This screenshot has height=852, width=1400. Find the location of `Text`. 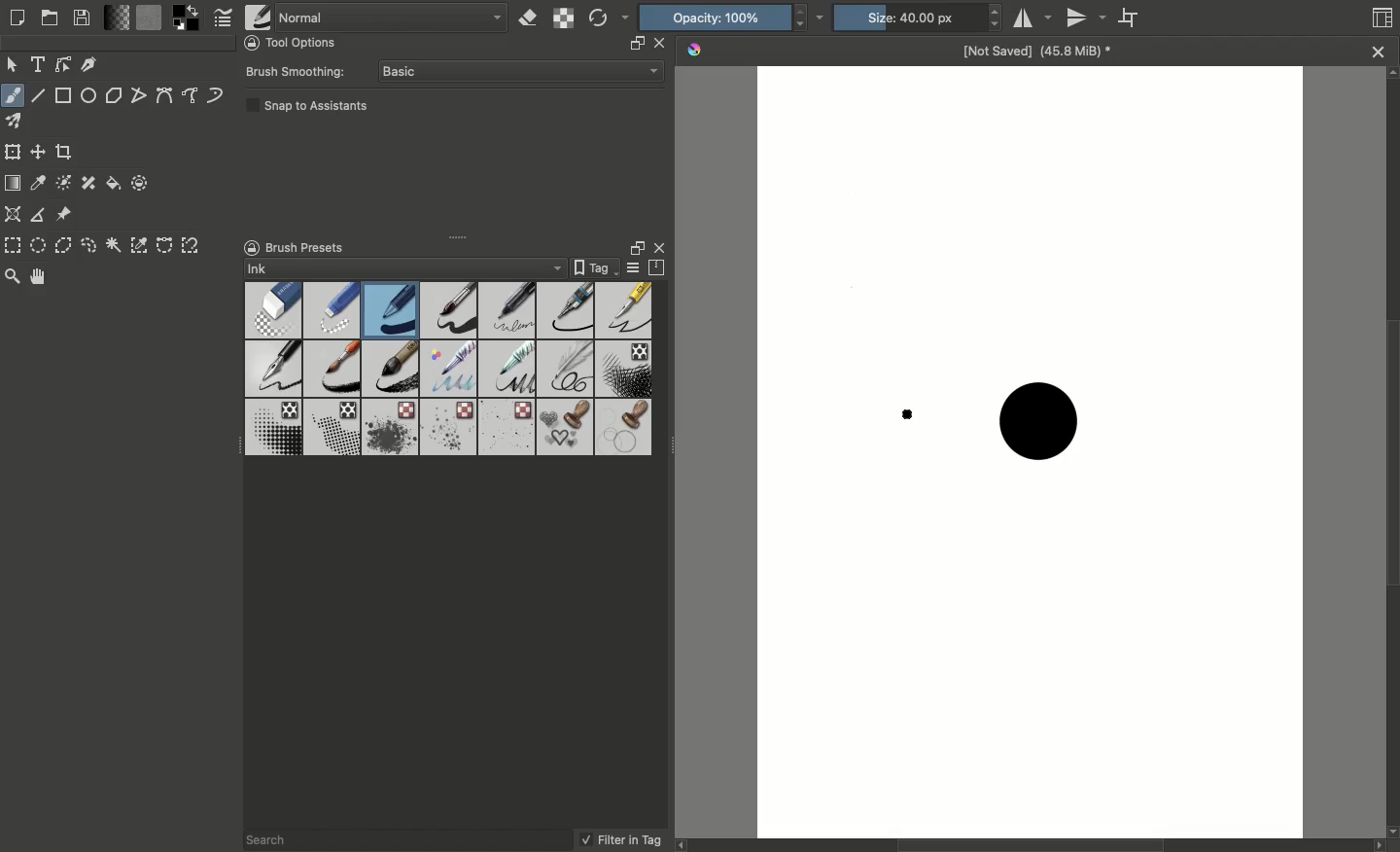

Text is located at coordinates (40, 64).